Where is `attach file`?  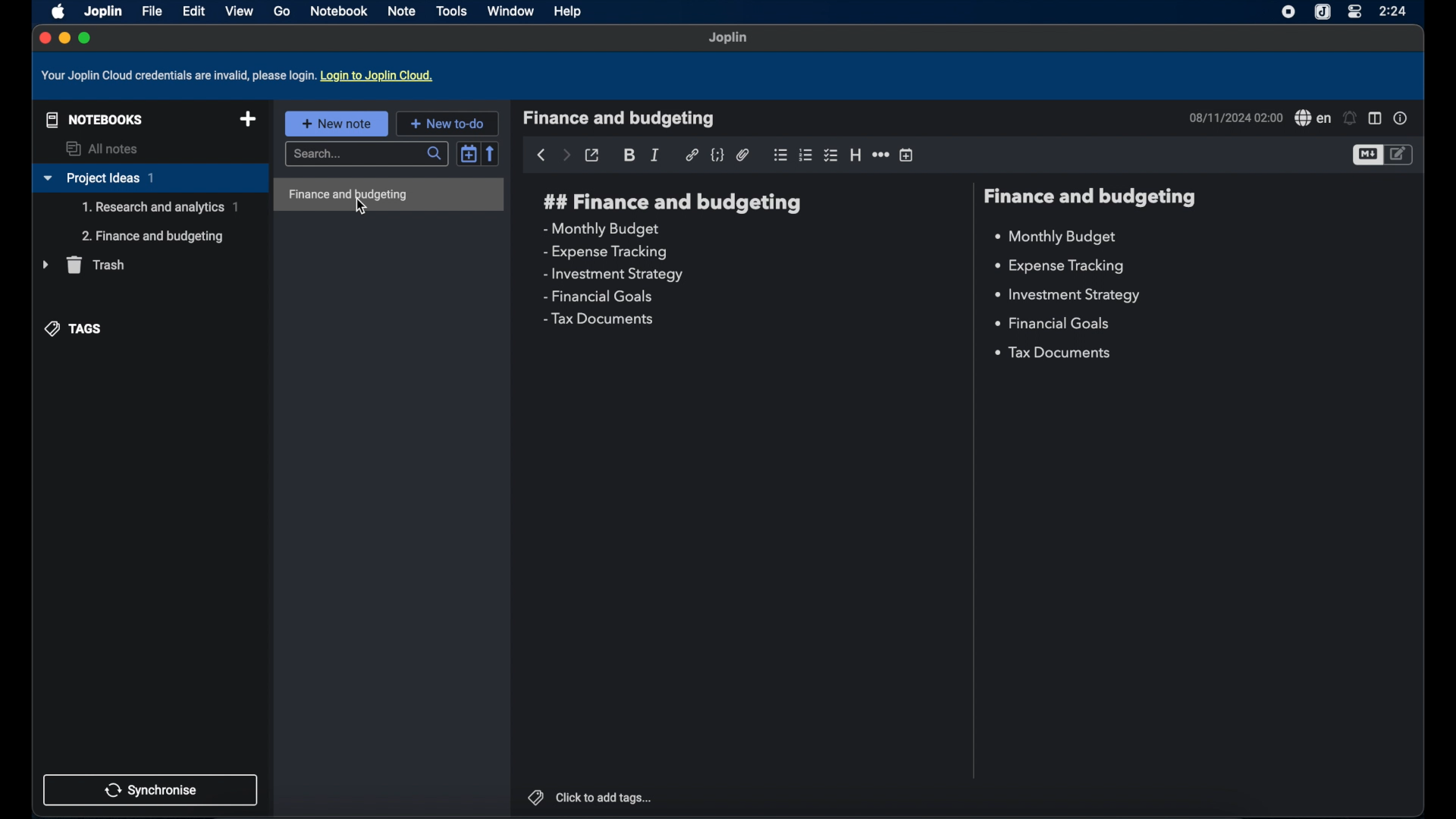
attach file is located at coordinates (743, 155).